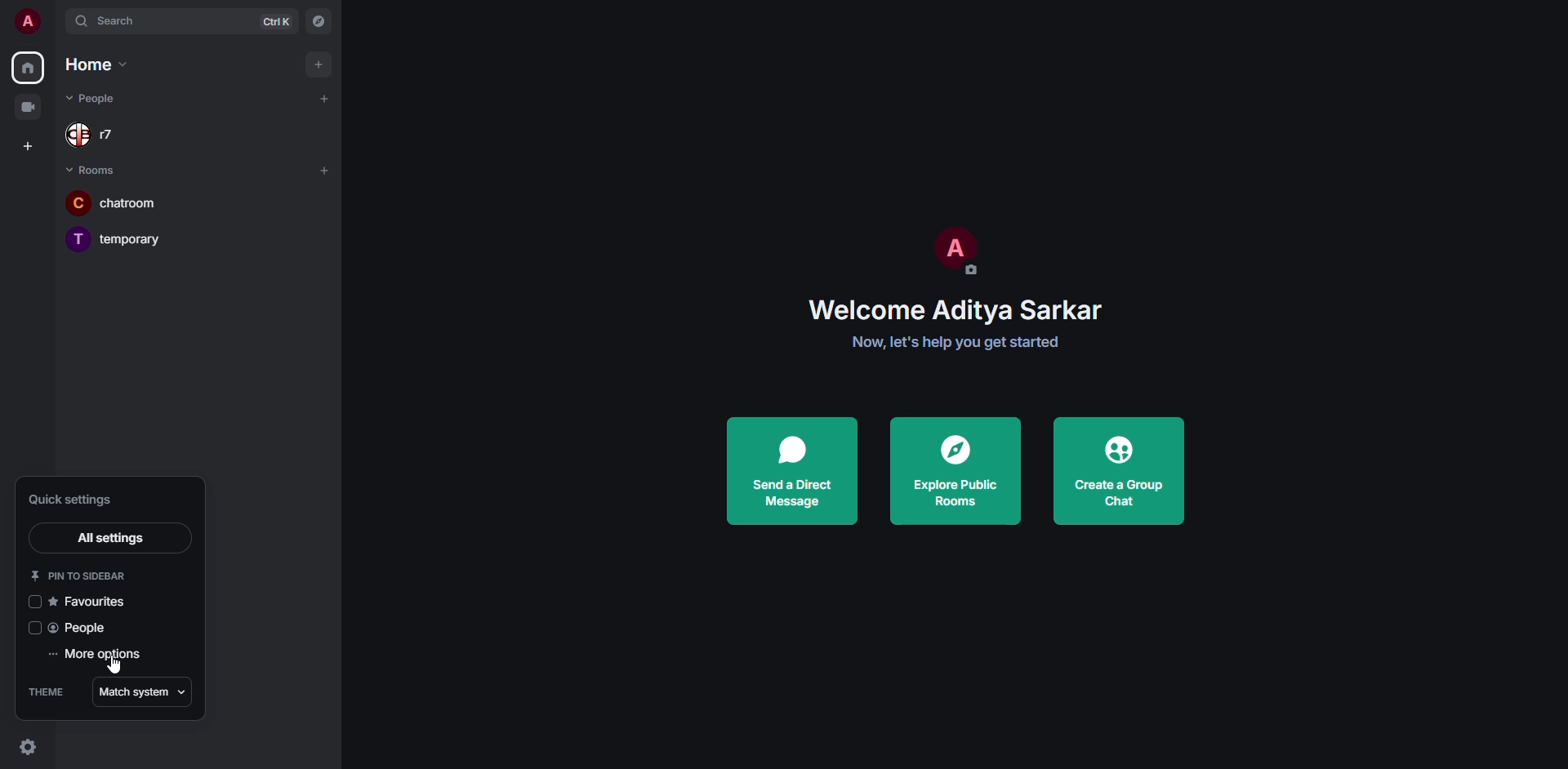  Describe the element at coordinates (120, 237) in the screenshot. I see `room` at that location.